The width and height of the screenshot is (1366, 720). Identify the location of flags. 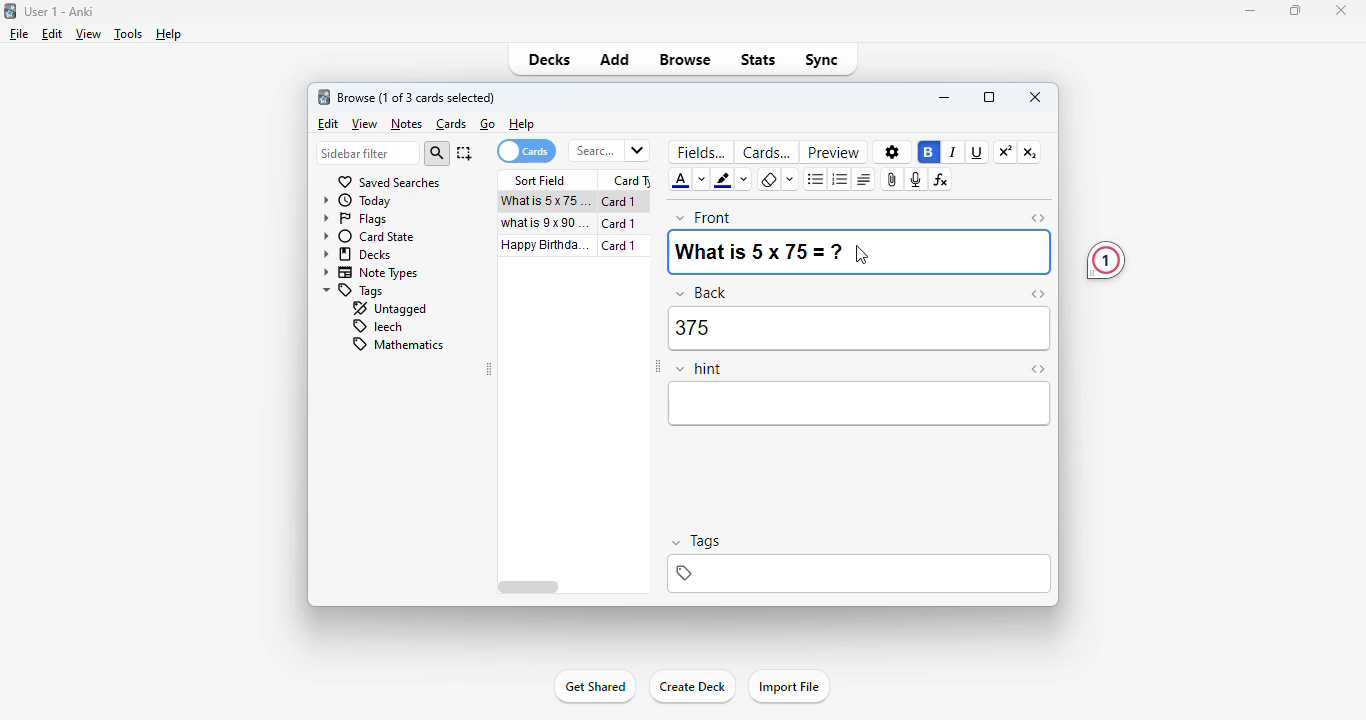
(354, 219).